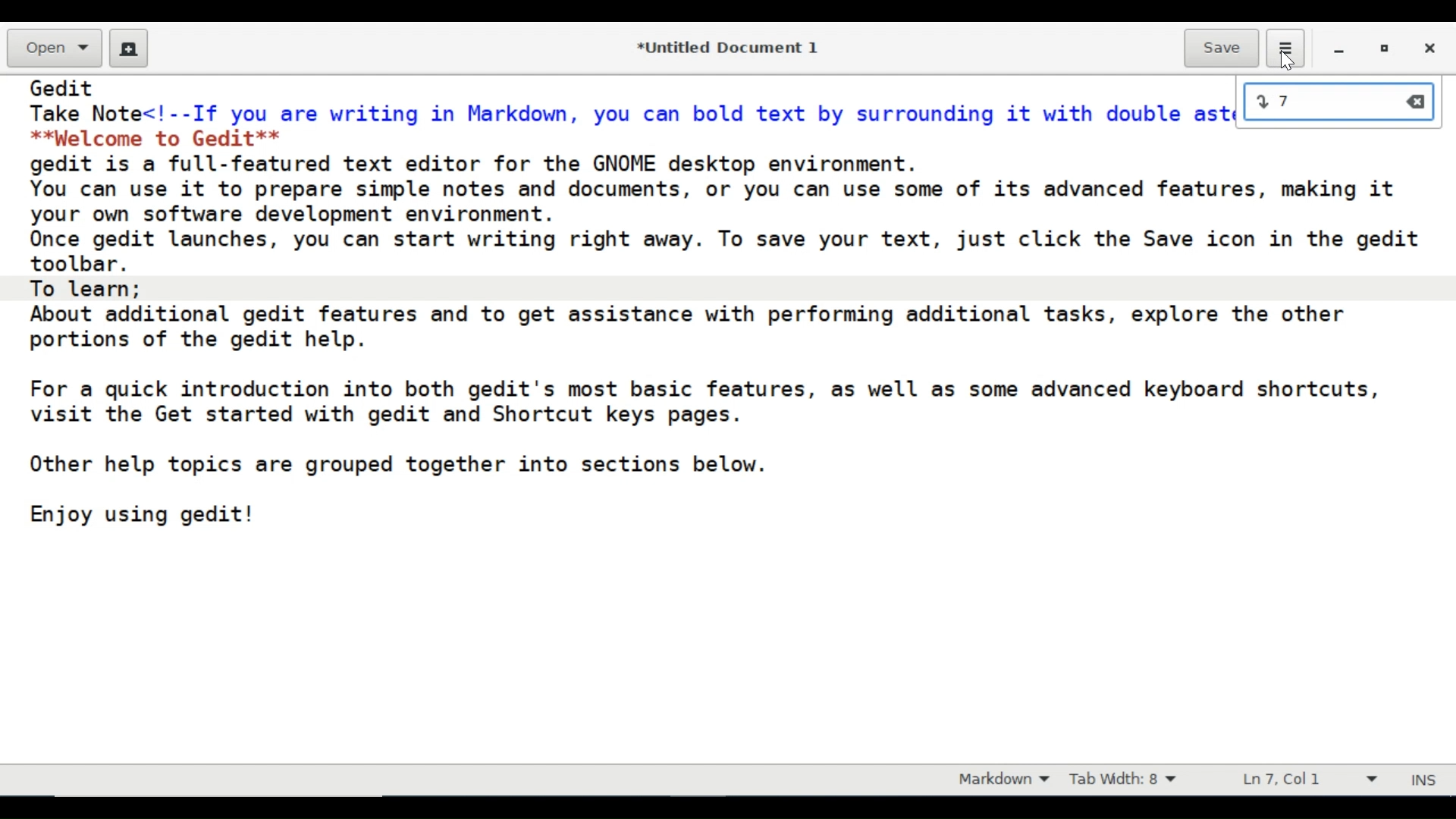 This screenshot has height=819, width=1456. What do you see at coordinates (53, 49) in the screenshot?
I see `Open` at bounding box center [53, 49].